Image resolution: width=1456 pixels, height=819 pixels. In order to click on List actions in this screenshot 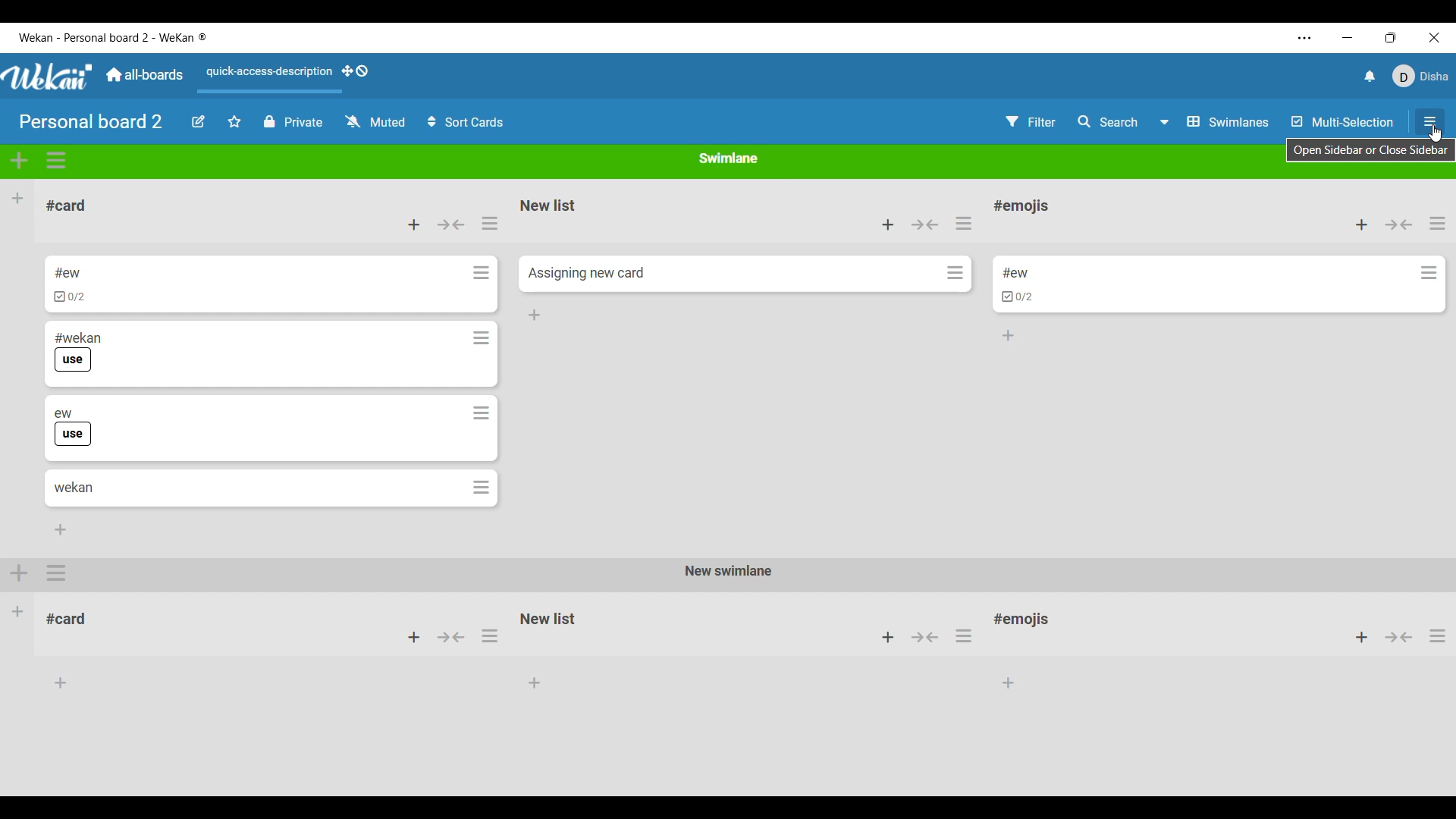, I will do `click(1438, 223)`.